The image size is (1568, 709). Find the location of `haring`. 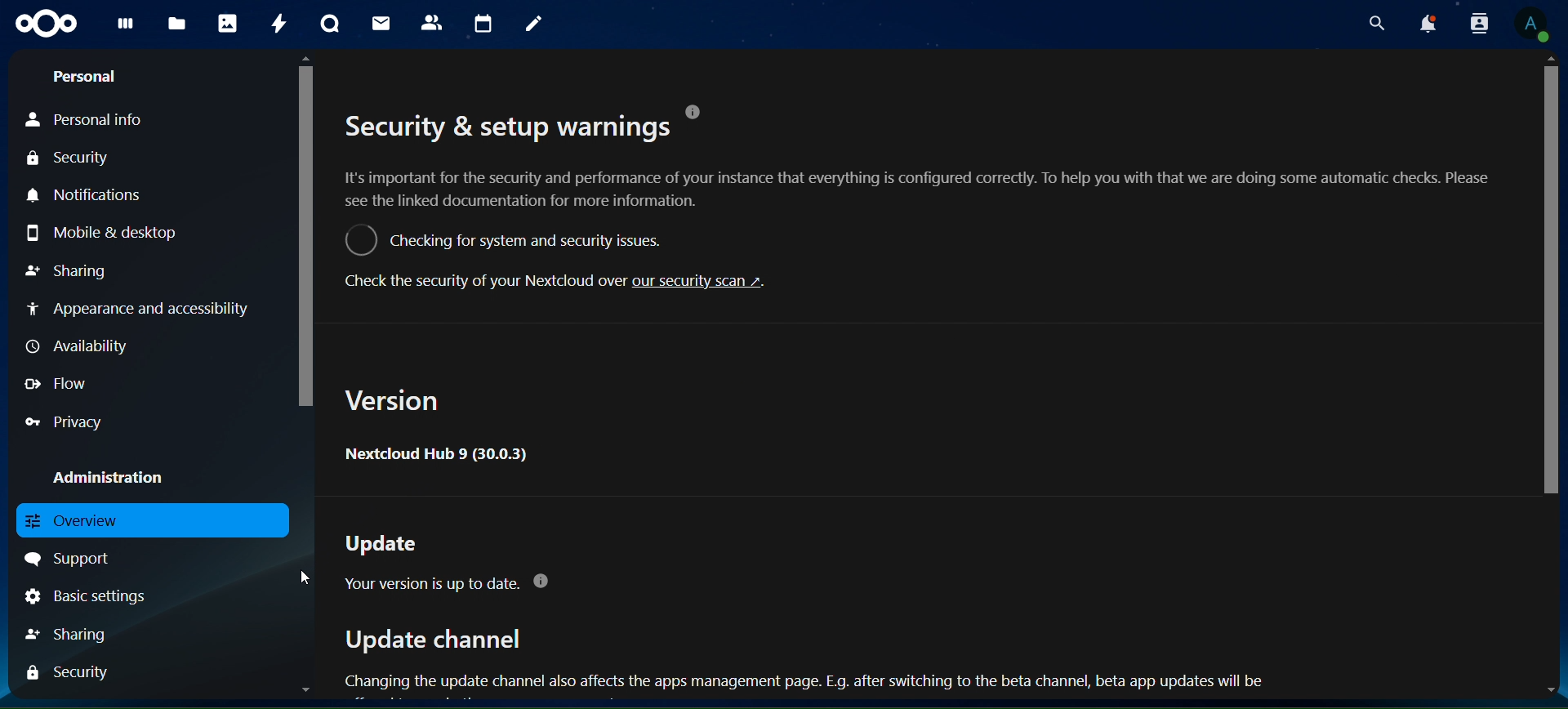

haring is located at coordinates (68, 635).